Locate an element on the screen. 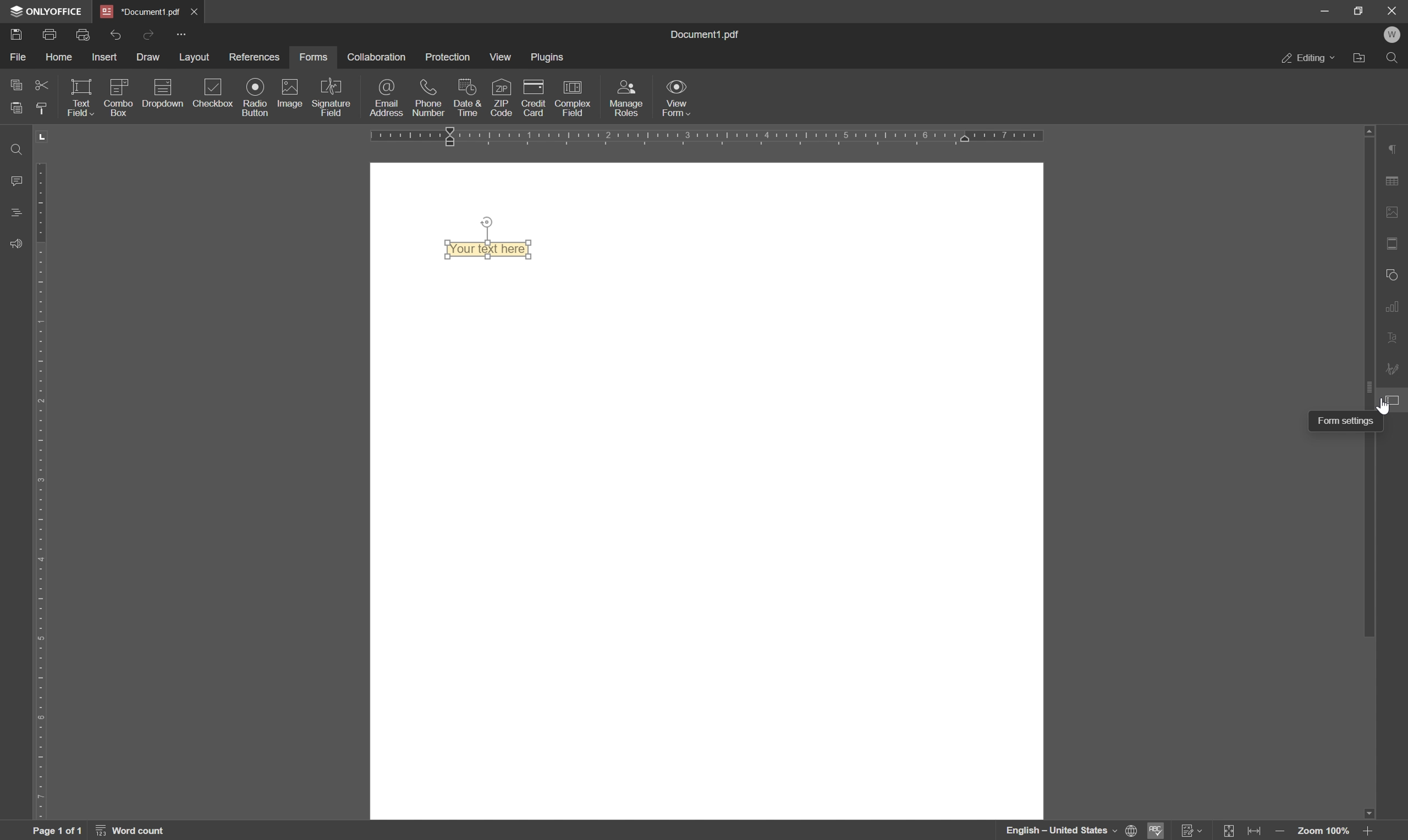 The width and height of the screenshot is (1408, 840). welcome is located at coordinates (1393, 35).